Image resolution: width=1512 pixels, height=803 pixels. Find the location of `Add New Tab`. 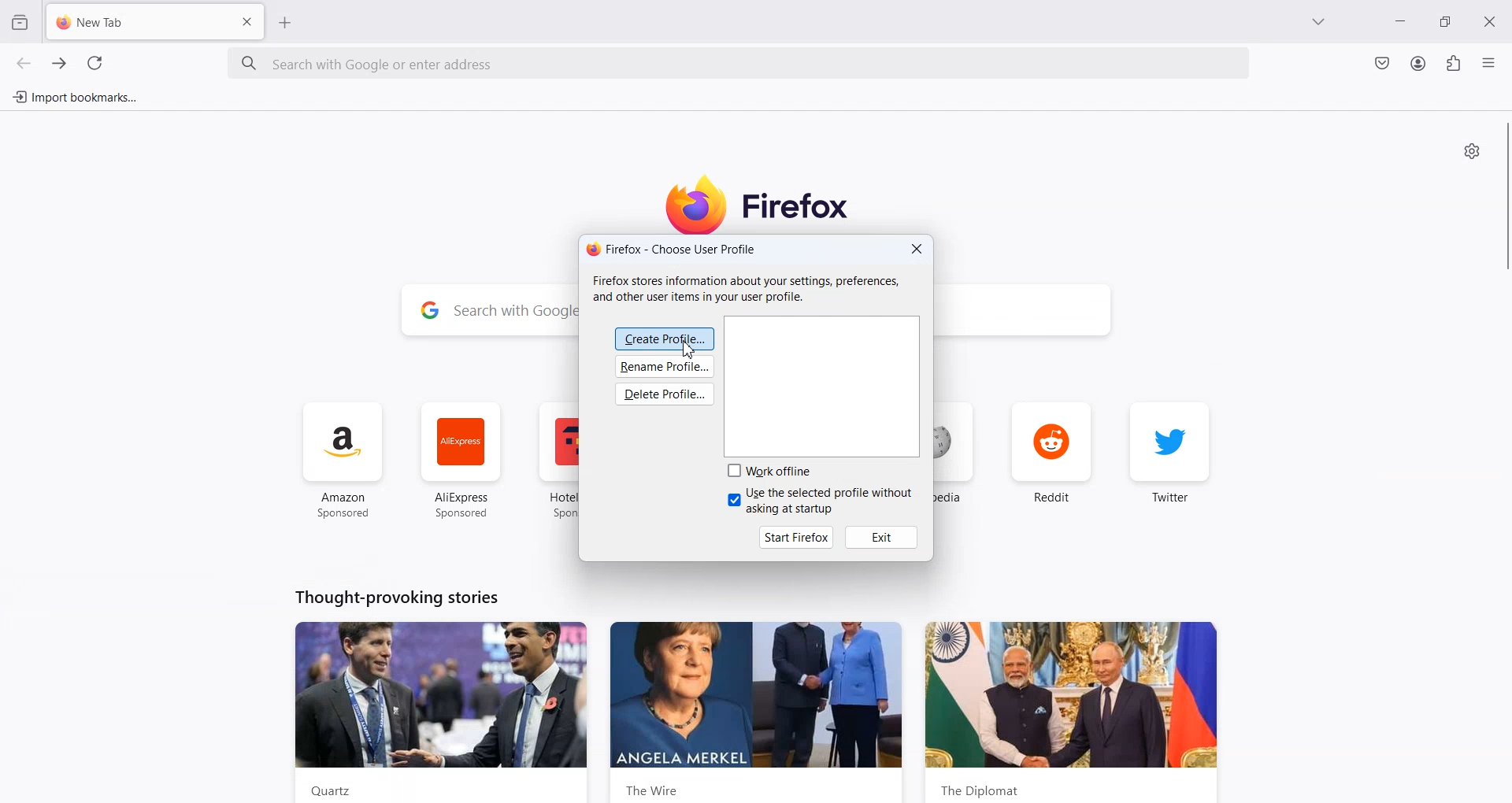

Add New Tab is located at coordinates (286, 22).